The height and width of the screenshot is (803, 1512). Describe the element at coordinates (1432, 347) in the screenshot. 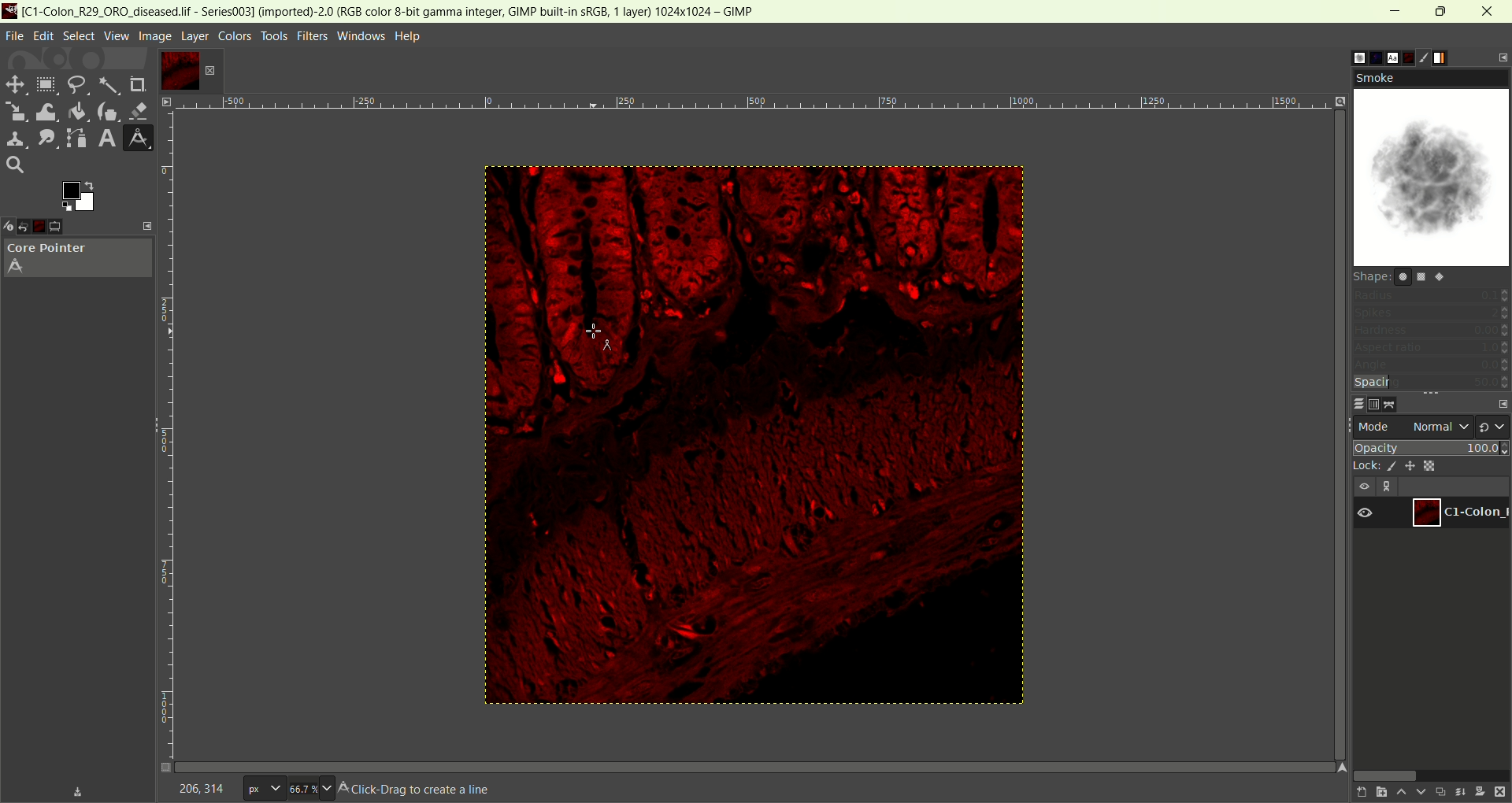

I see `aspect ratio` at that location.